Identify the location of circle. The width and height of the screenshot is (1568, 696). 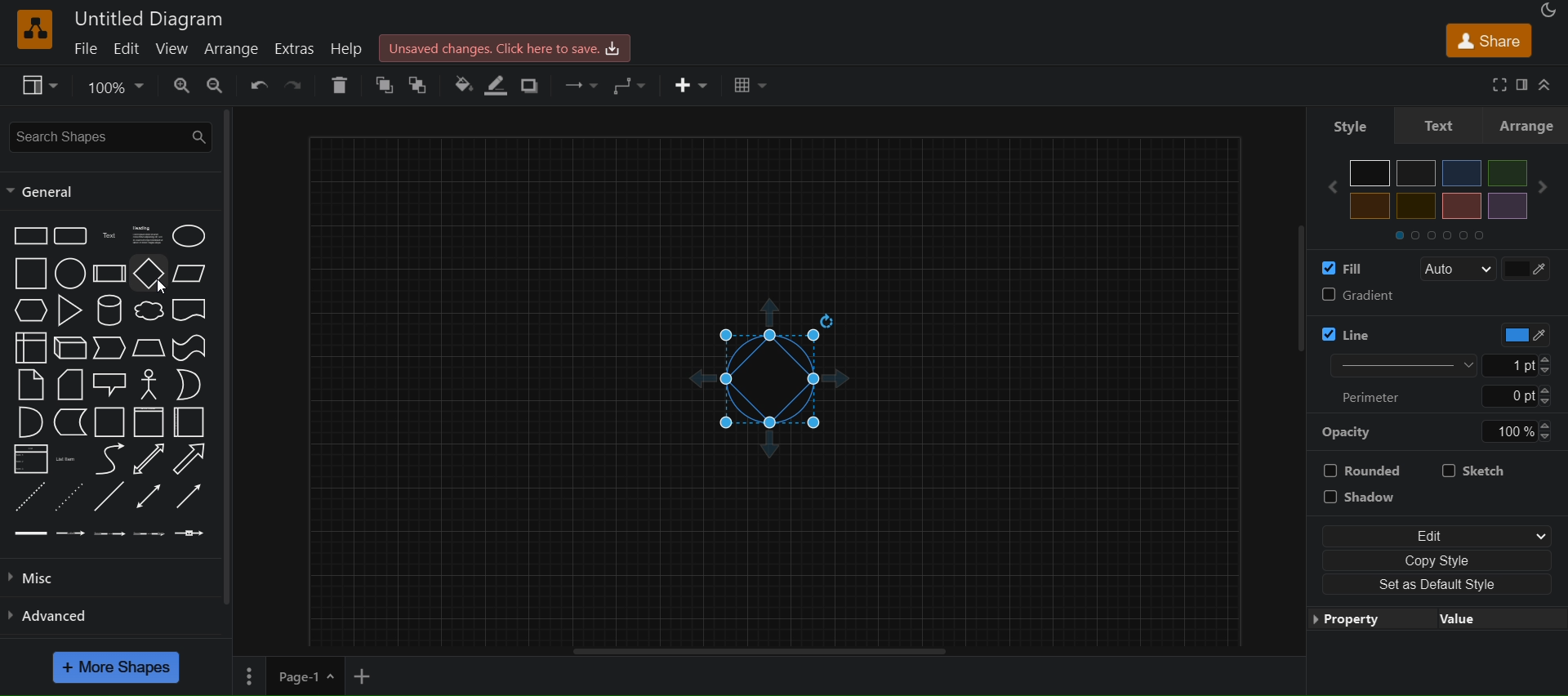
(68, 275).